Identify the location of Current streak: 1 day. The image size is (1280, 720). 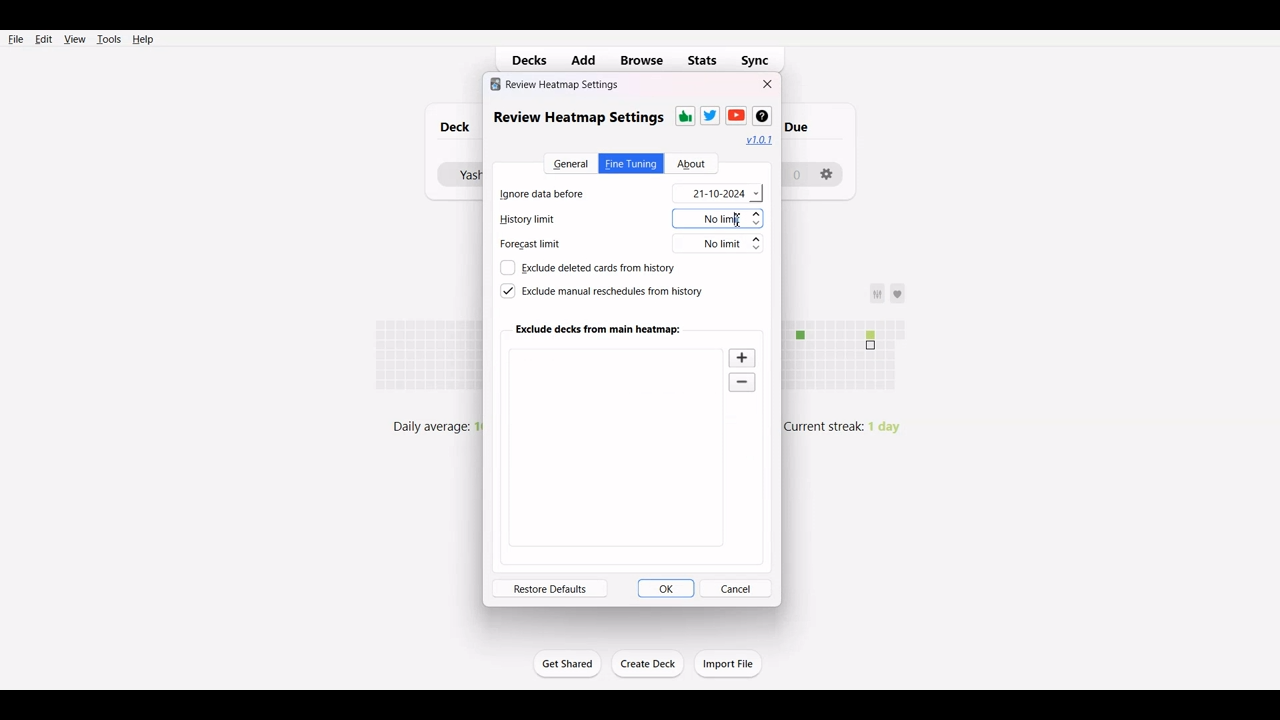
(850, 426).